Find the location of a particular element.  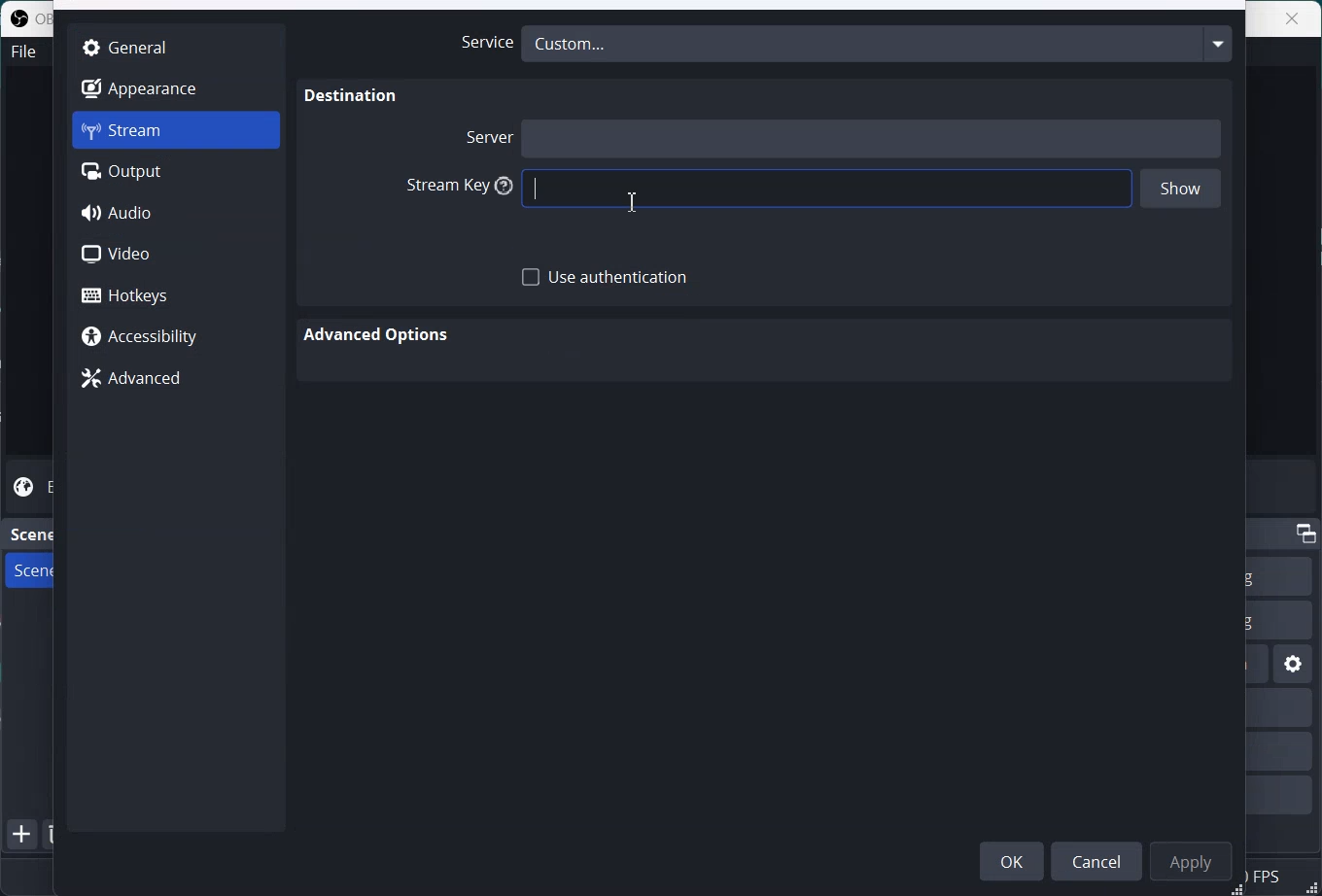

General is located at coordinates (175, 46).